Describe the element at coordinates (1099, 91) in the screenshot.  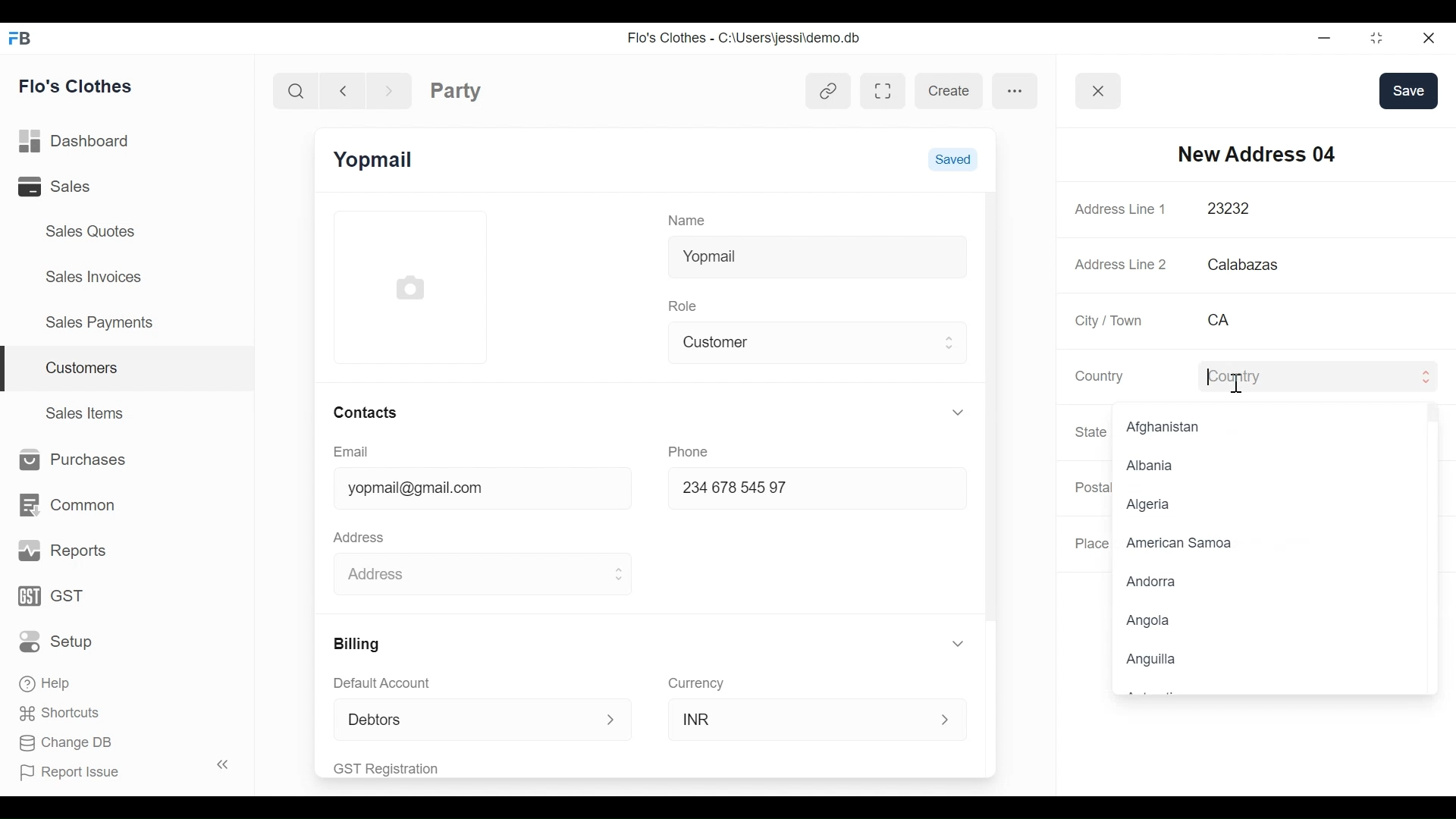
I see `` at that location.